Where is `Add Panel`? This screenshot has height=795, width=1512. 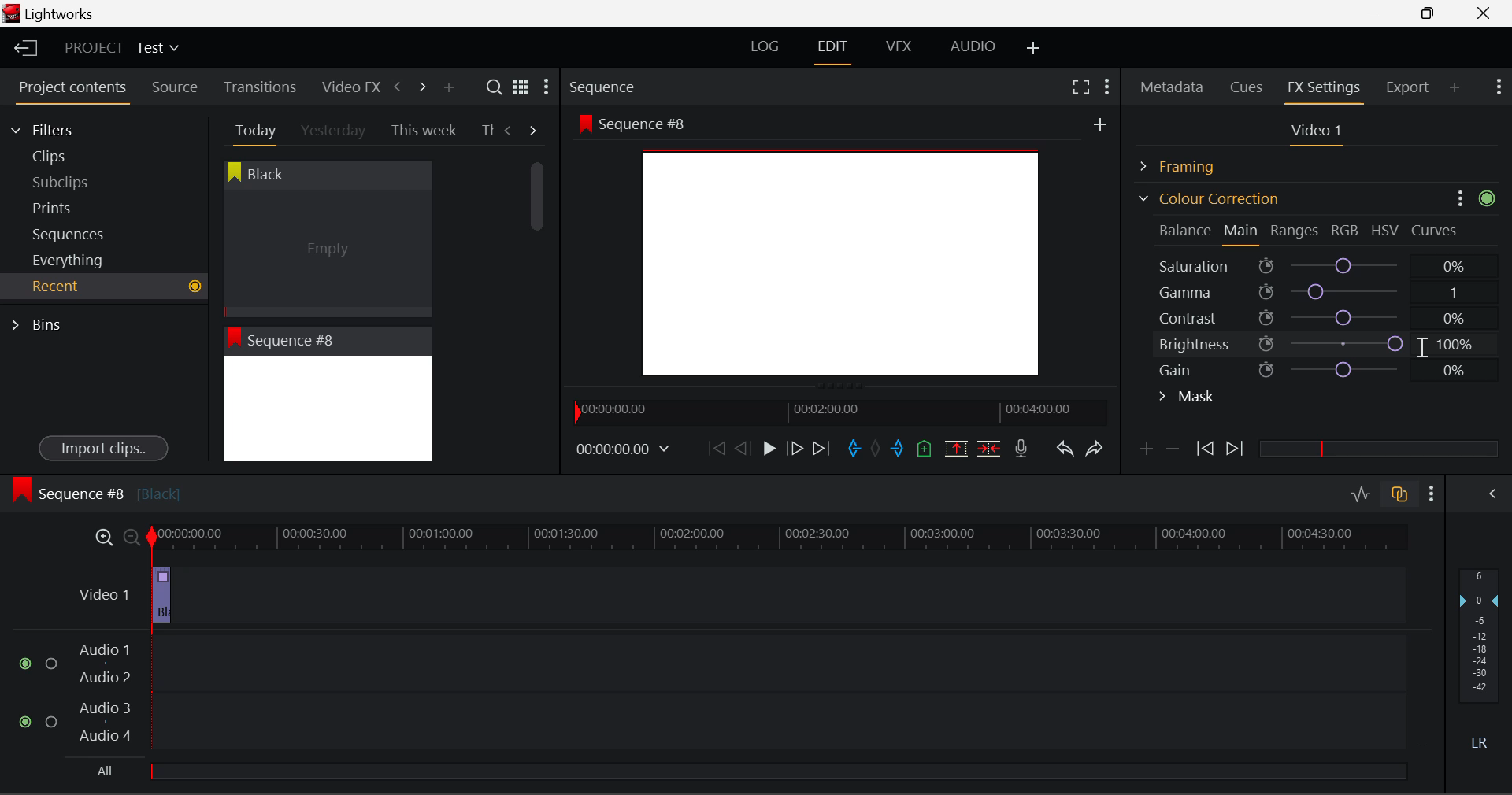
Add Panel is located at coordinates (1455, 87).